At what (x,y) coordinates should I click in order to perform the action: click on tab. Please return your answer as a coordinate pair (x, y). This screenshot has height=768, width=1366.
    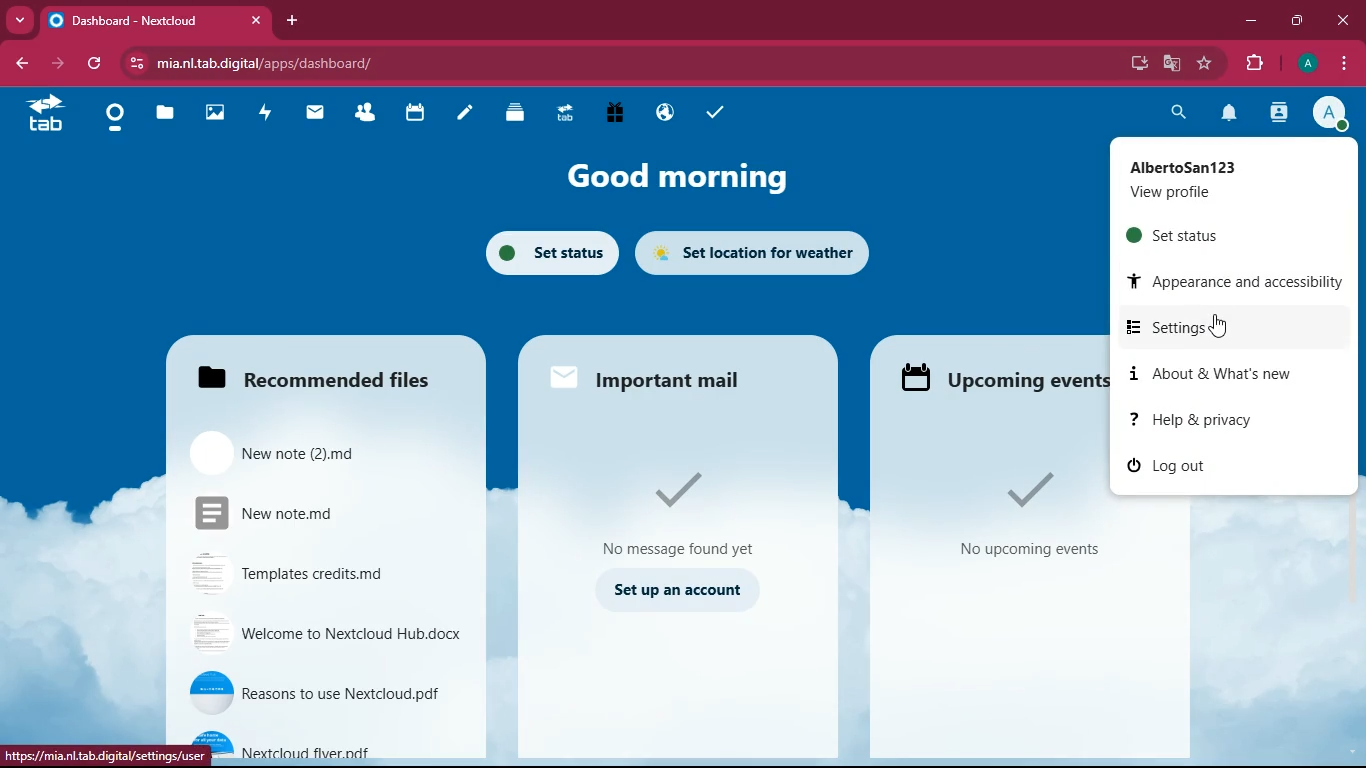
    Looking at the image, I should click on (44, 115).